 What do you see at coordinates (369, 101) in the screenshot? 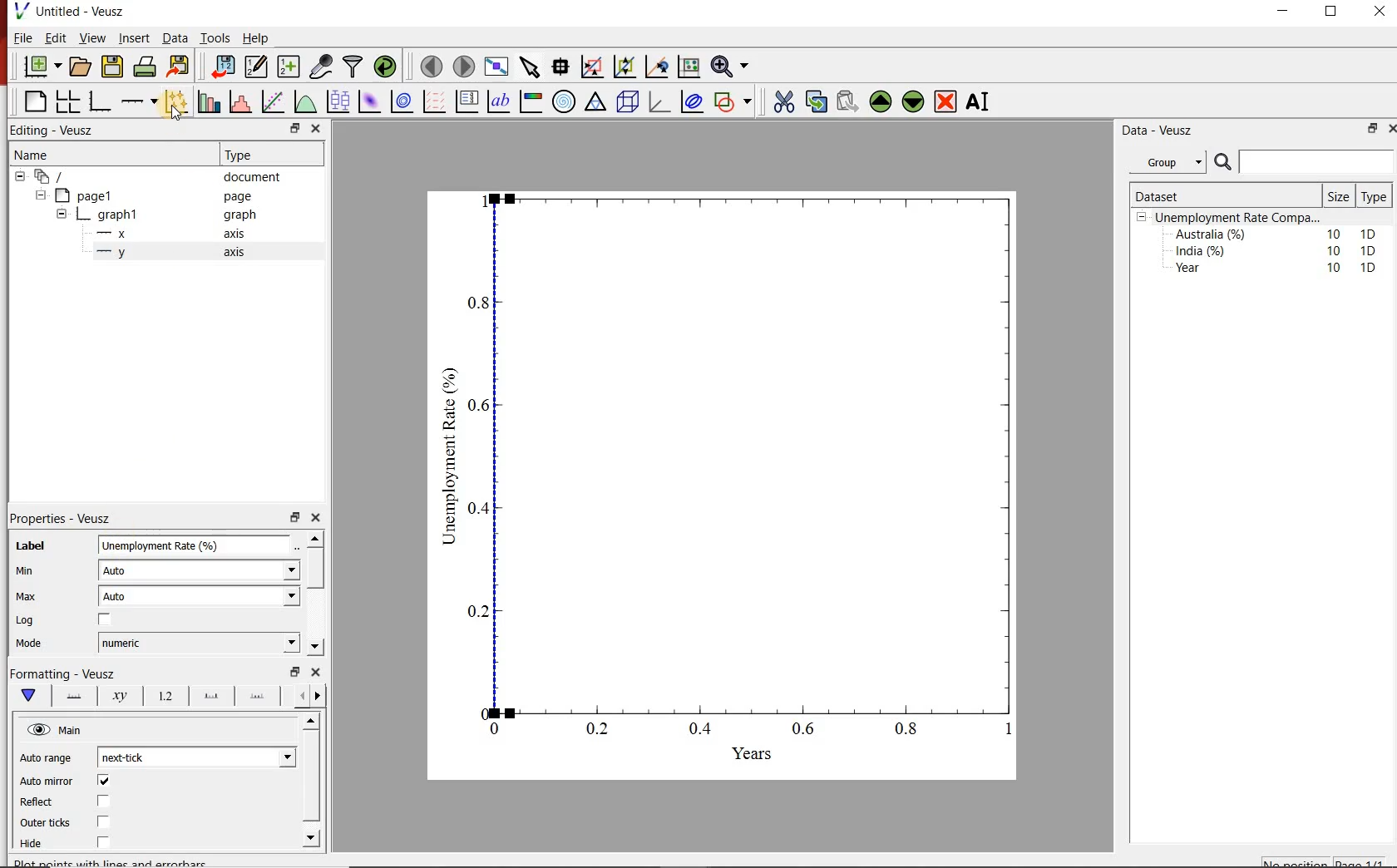
I see `plot 2d datasets as image` at bounding box center [369, 101].